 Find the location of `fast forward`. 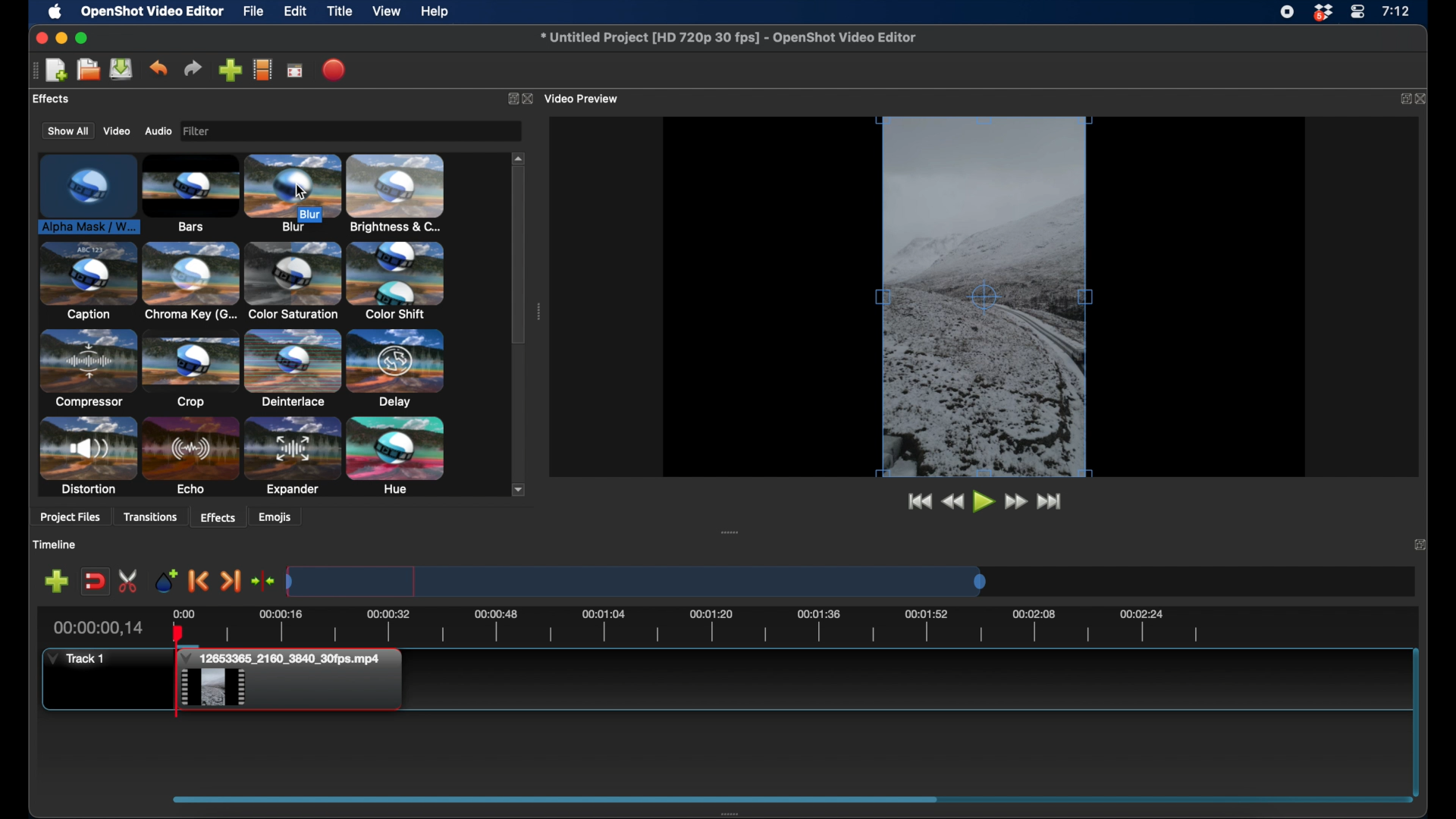

fast forward is located at coordinates (1018, 502).